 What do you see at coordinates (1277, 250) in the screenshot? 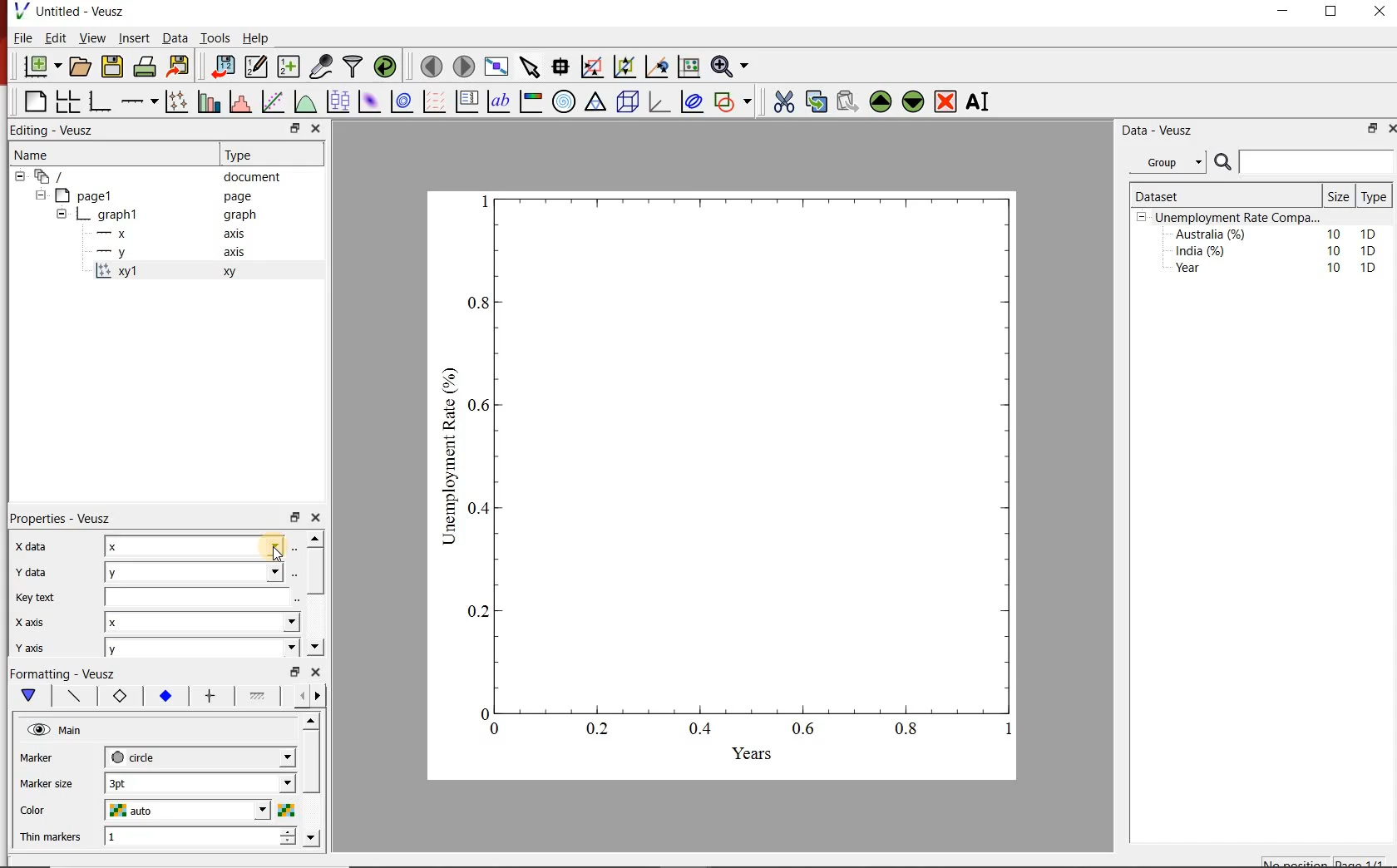
I see `India (%) 10 1D` at bounding box center [1277, 250].